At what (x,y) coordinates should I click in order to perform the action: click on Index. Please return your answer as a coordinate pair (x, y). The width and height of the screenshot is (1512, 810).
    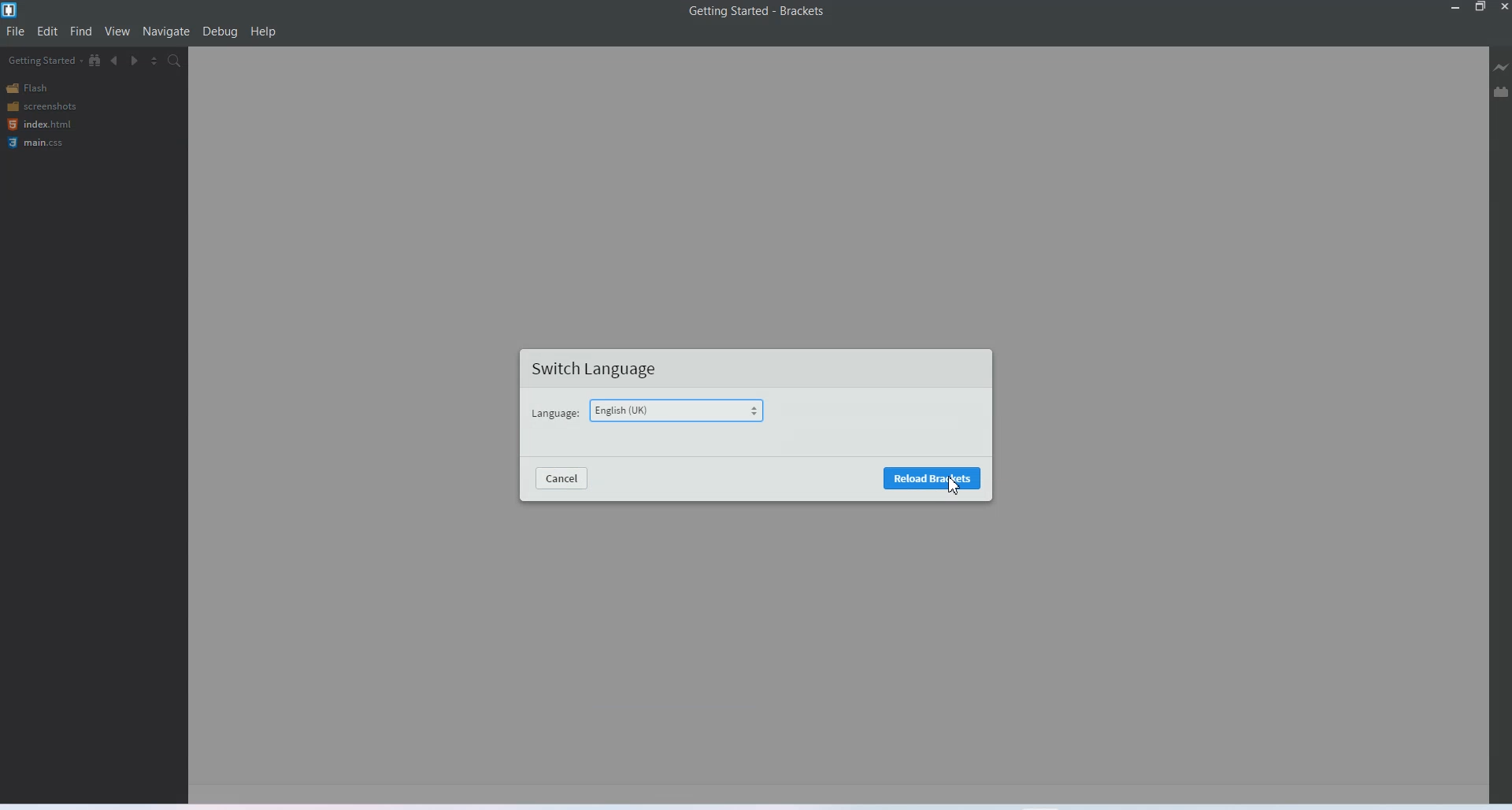
    Looking at the image, I should click on (38, 124).